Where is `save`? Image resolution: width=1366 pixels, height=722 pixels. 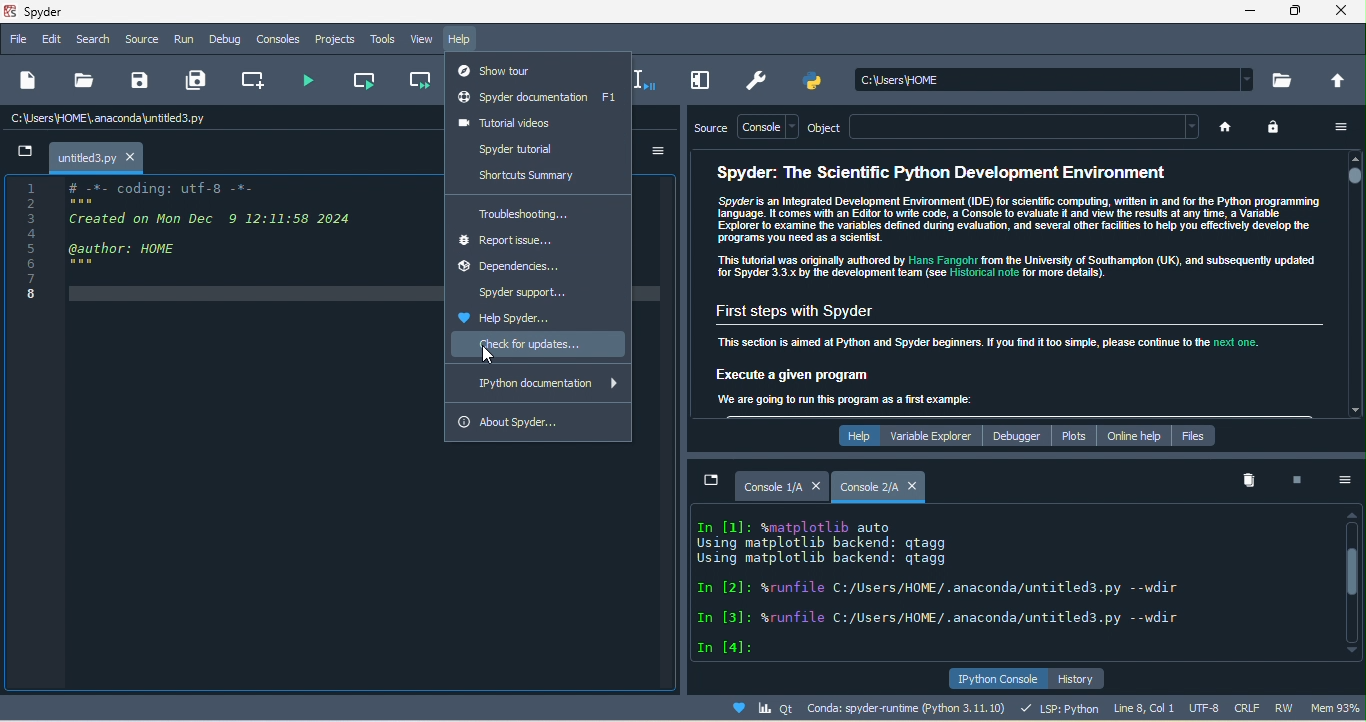
save is located at coordinates (136, 82).